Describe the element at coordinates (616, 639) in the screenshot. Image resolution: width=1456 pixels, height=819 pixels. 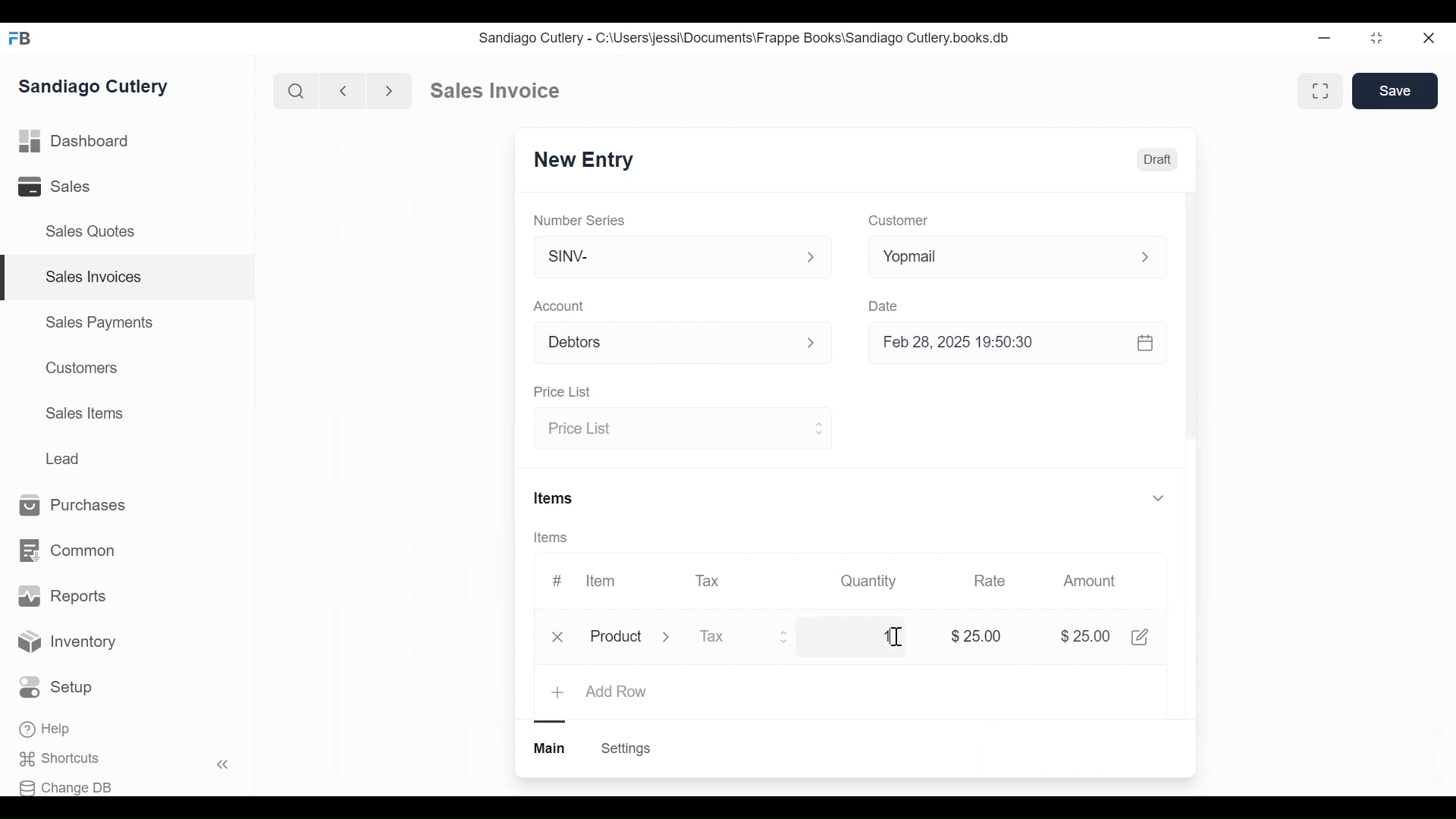
I see `product` at that location.